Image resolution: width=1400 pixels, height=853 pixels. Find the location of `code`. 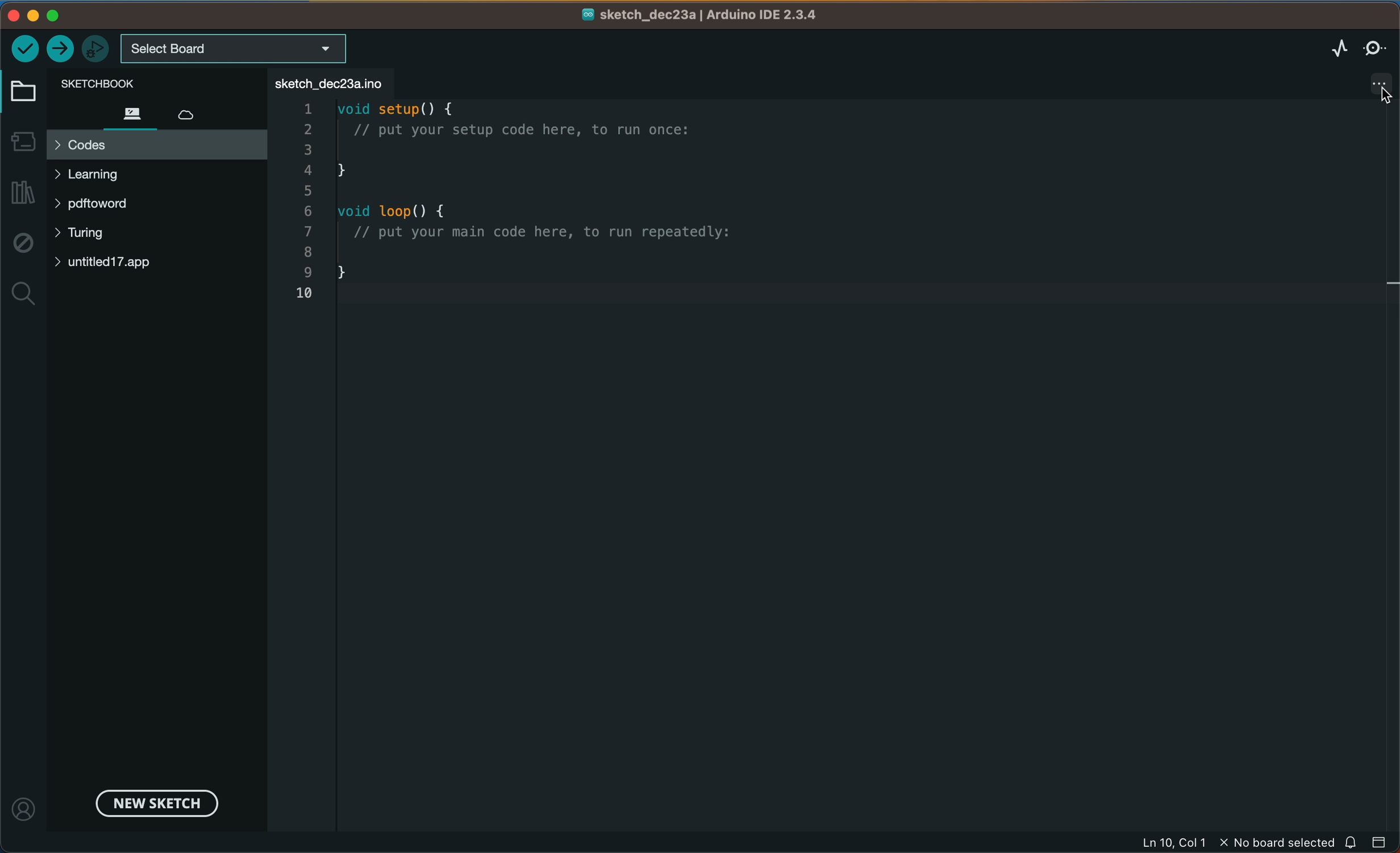

code is located at coordinates (557, 208).